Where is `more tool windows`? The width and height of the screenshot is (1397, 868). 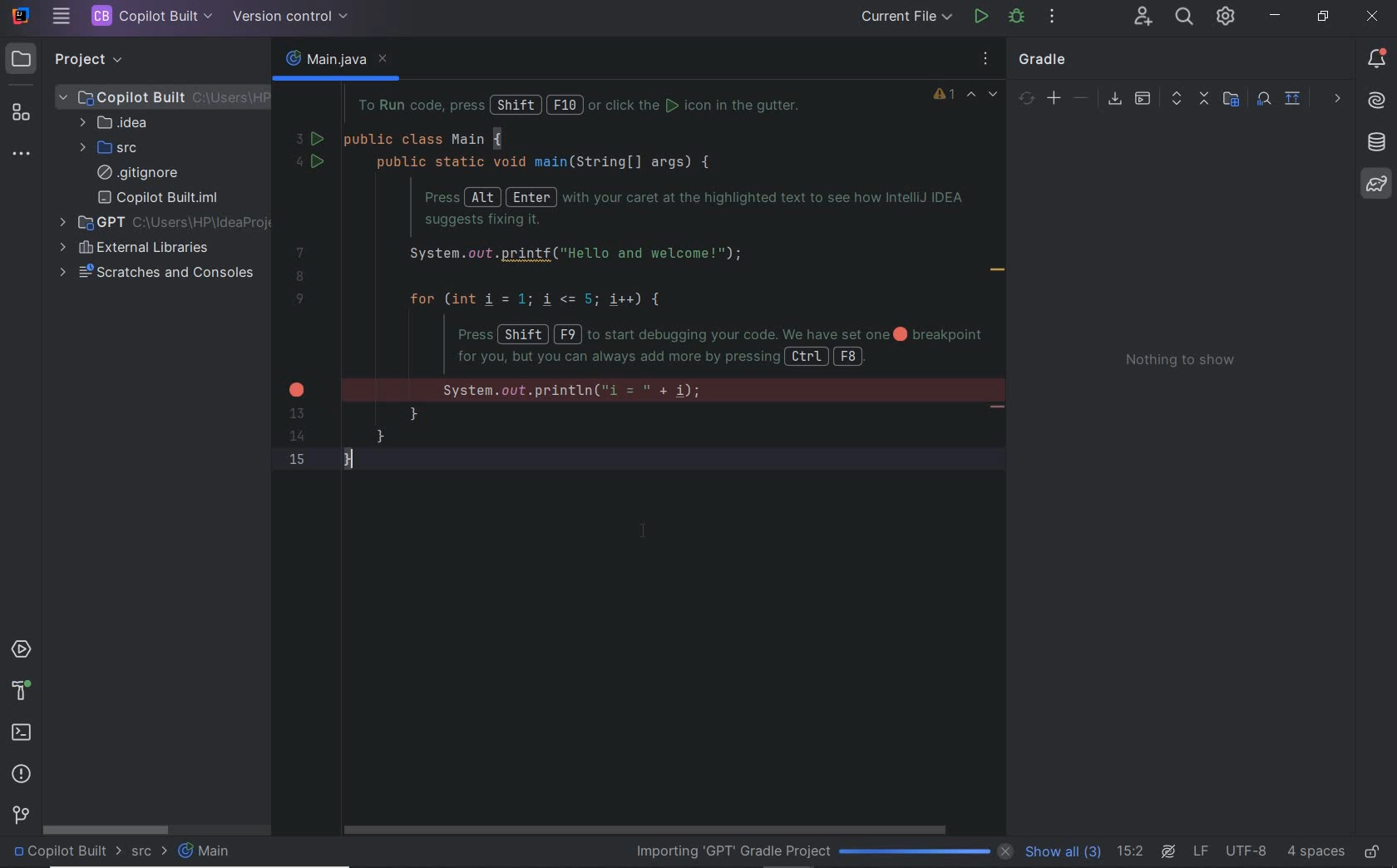
more tool windows is located at coordinates (23, 155).